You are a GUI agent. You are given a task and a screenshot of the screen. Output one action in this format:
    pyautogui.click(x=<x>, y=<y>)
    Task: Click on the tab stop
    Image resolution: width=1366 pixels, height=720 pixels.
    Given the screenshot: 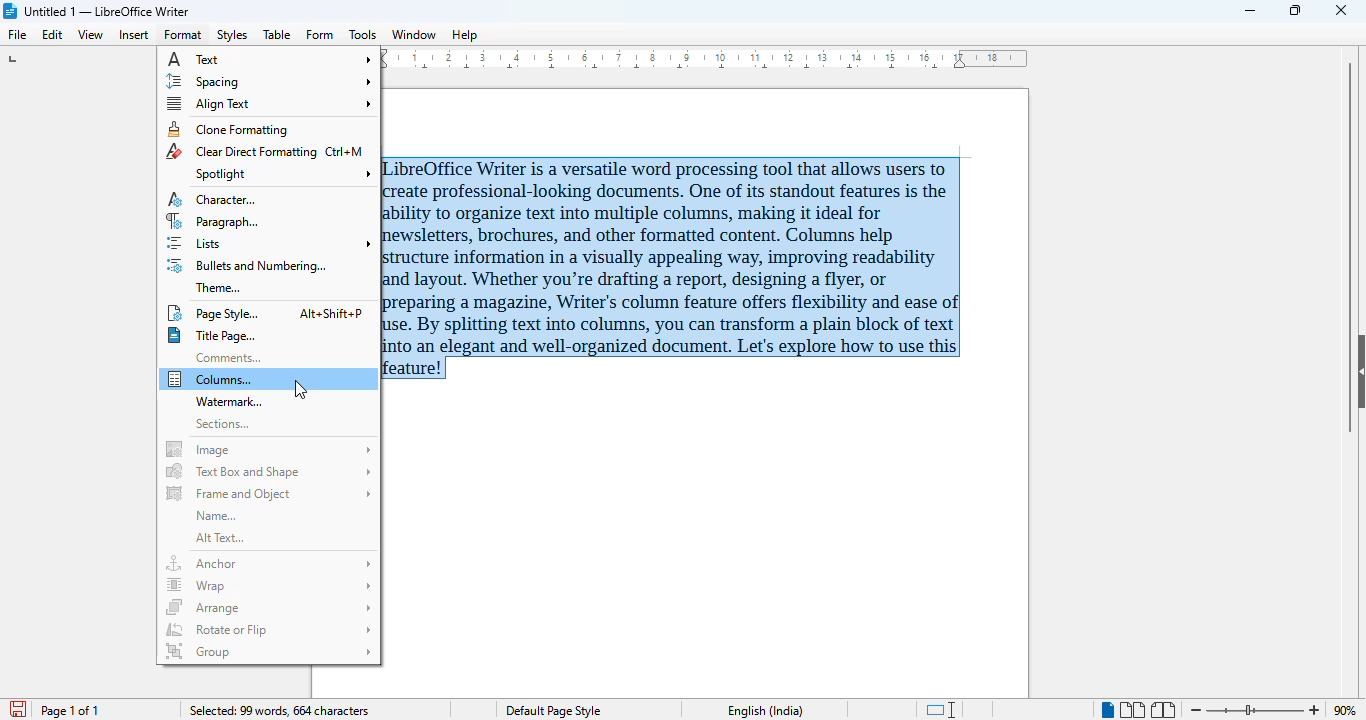 What is the action you would take?
    pyautogui.click(x=15, y=59)
    